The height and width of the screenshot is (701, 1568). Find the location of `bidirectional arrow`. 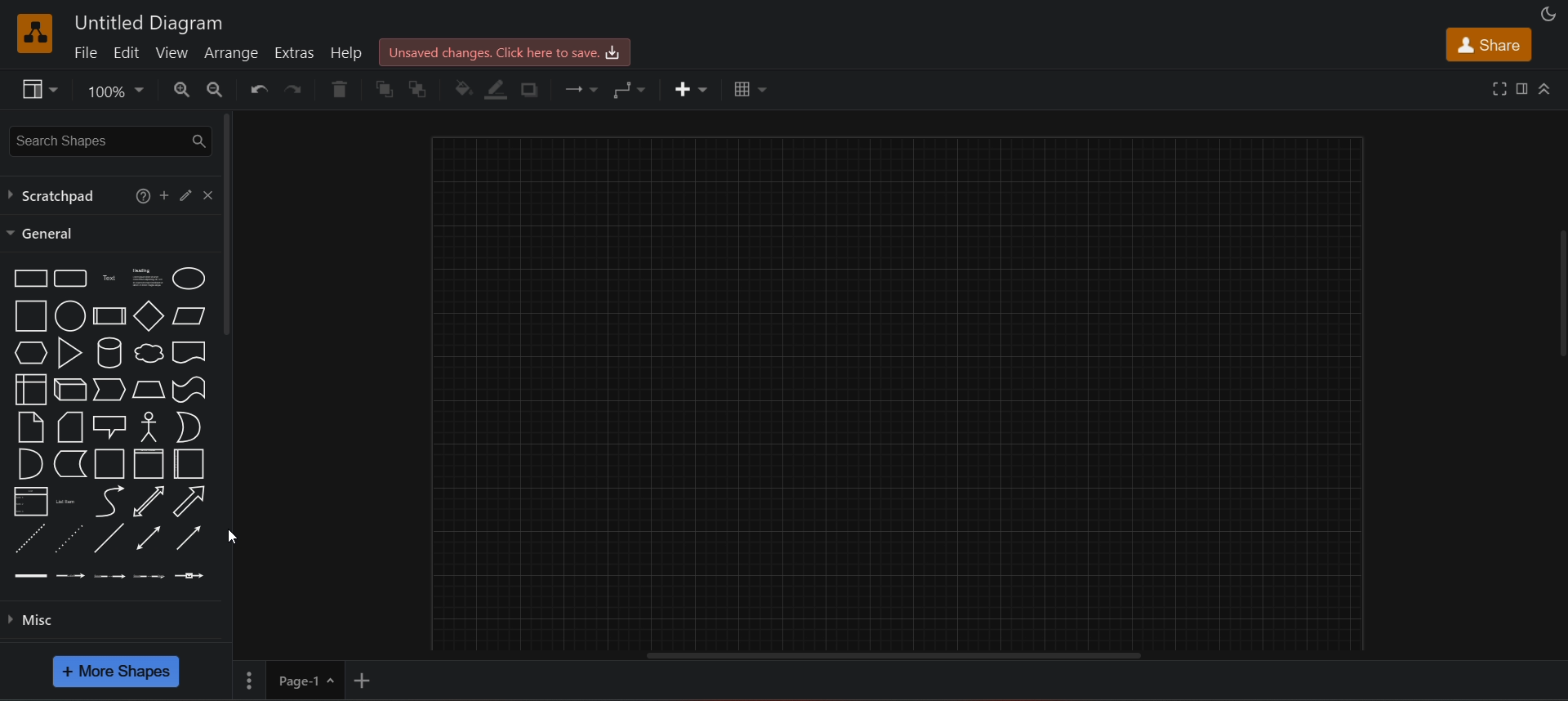

bidirectional arrow is located at coordinates (149, 502).